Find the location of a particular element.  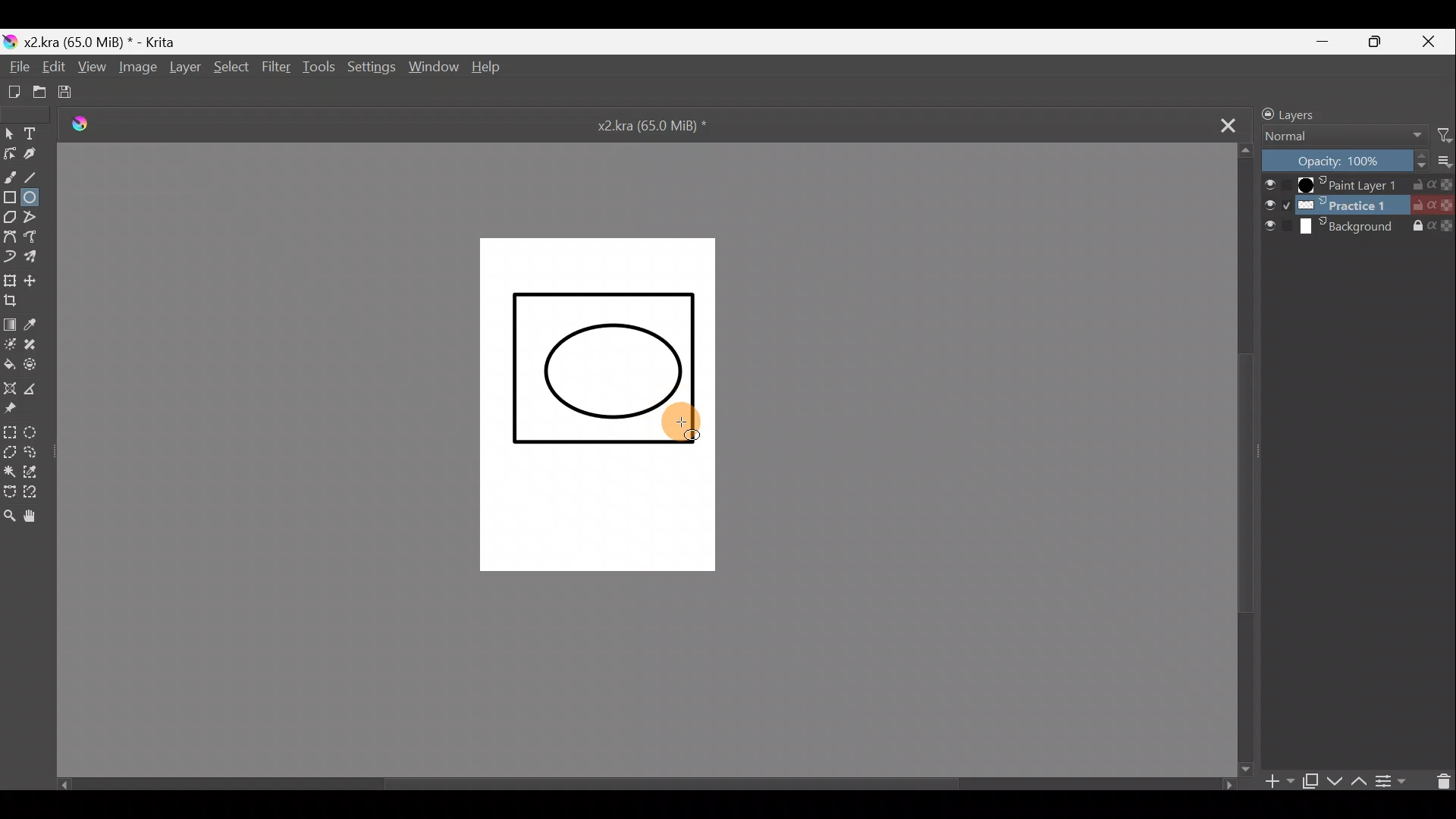

Polygon tool is located at coordinates (9, 216).